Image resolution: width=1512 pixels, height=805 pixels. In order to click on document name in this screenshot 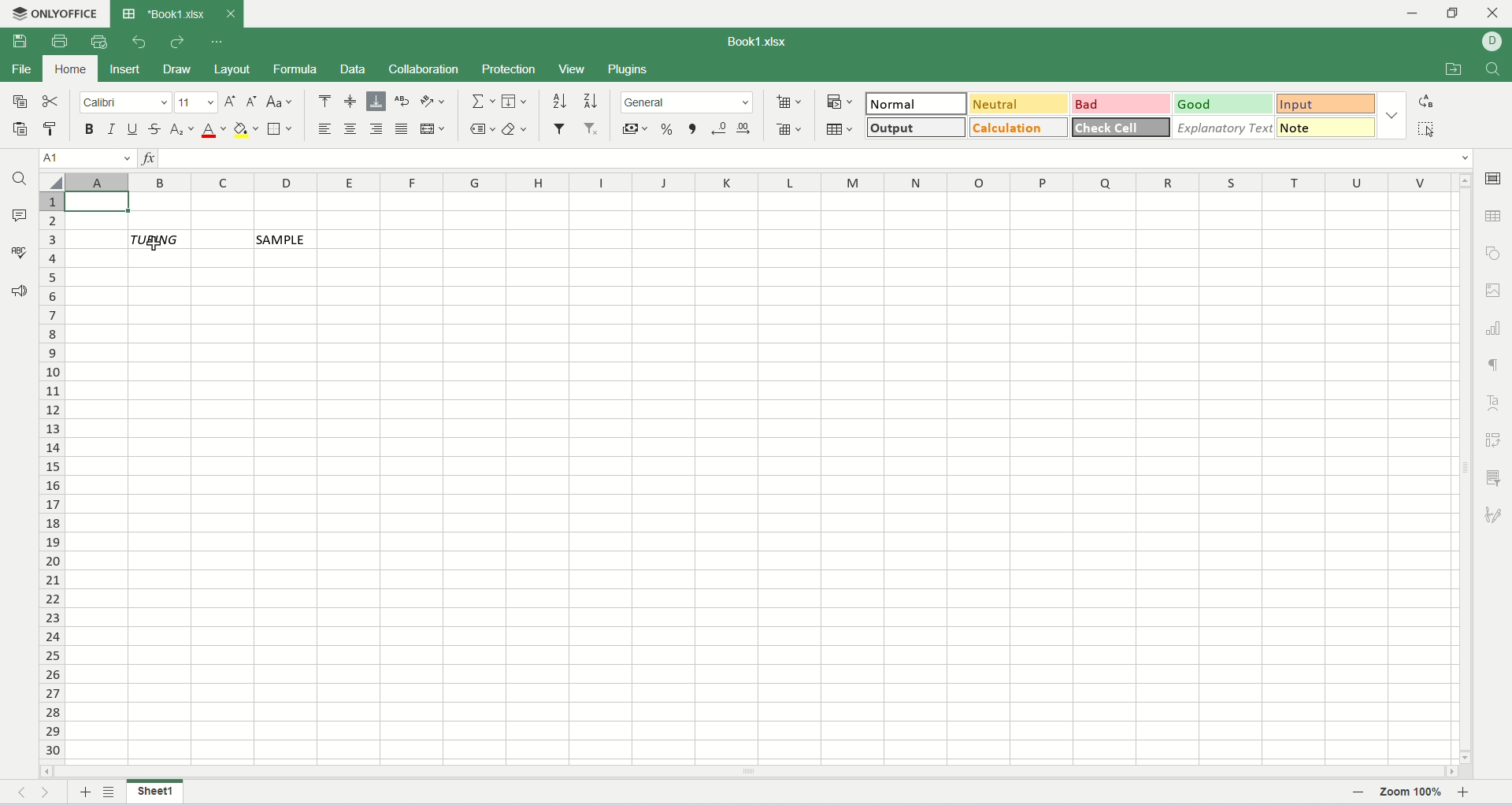, I will do `click(754, 43)`.